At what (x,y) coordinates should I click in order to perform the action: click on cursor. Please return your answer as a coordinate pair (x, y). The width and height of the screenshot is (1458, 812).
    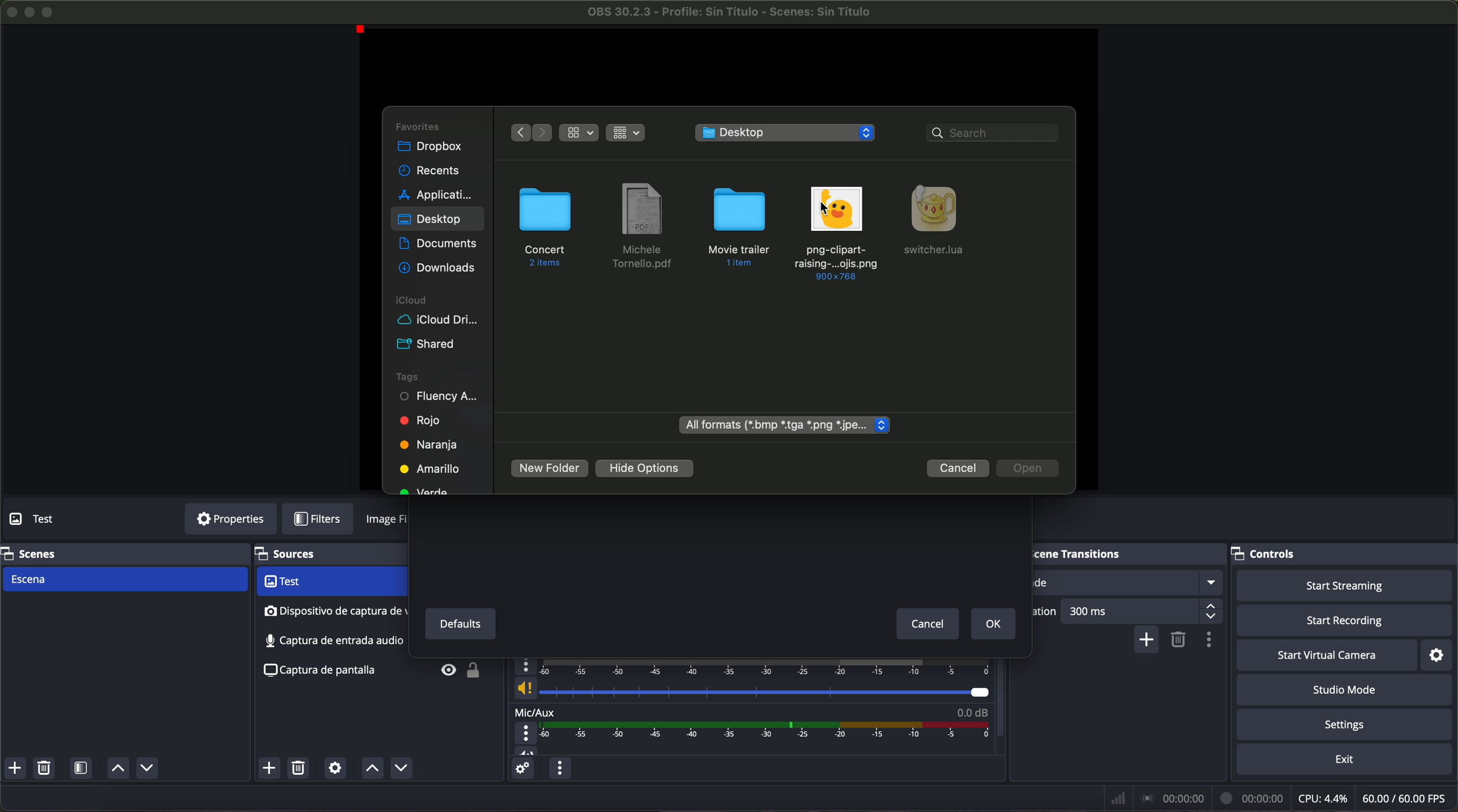
    Looking at the image, I should click on (826, 209).